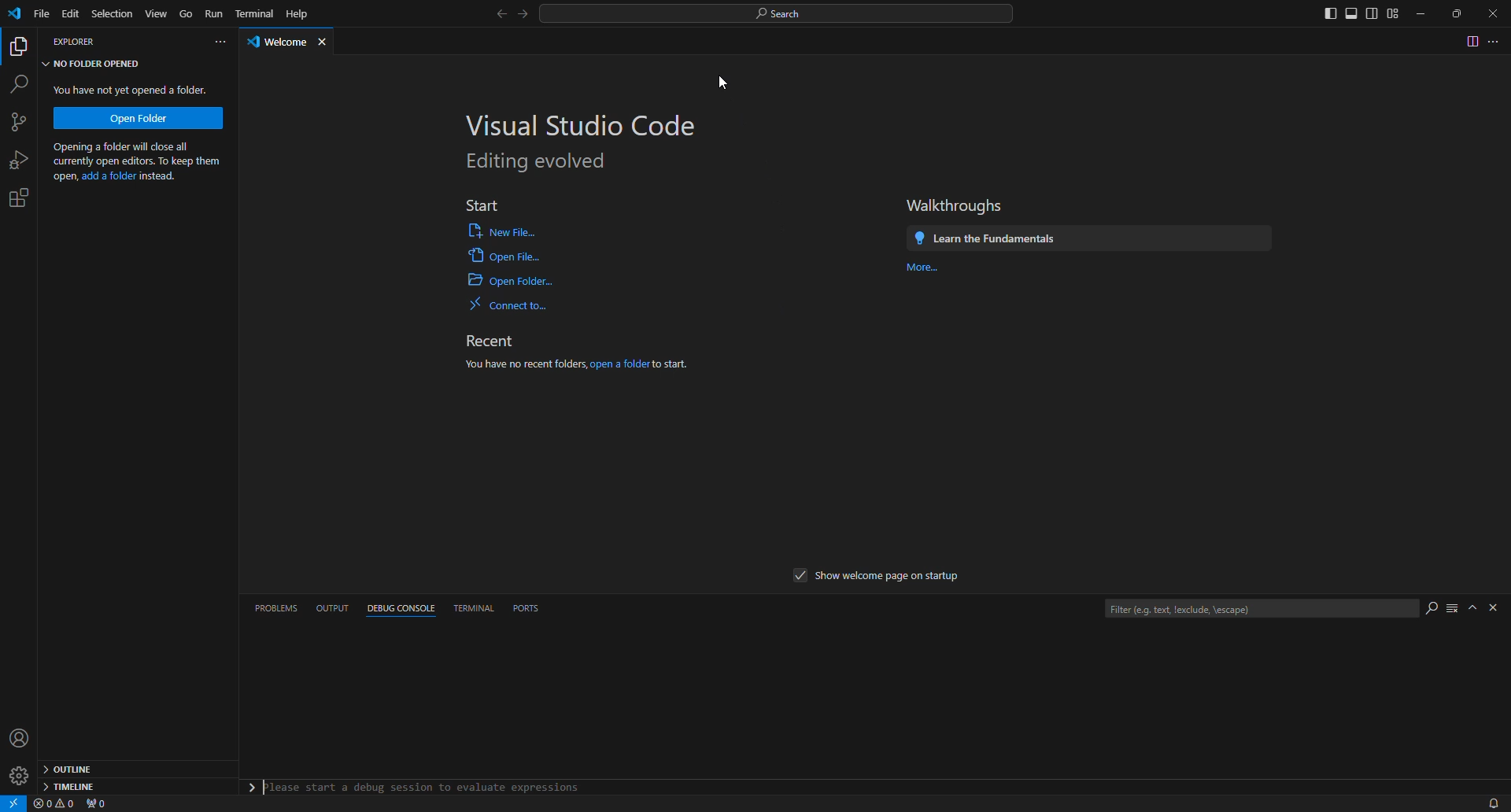 The width and height of the screenshot is (1511, 812). Describe the element at coordinates (17, 15) in the screenshot. I see `logo` at that location.